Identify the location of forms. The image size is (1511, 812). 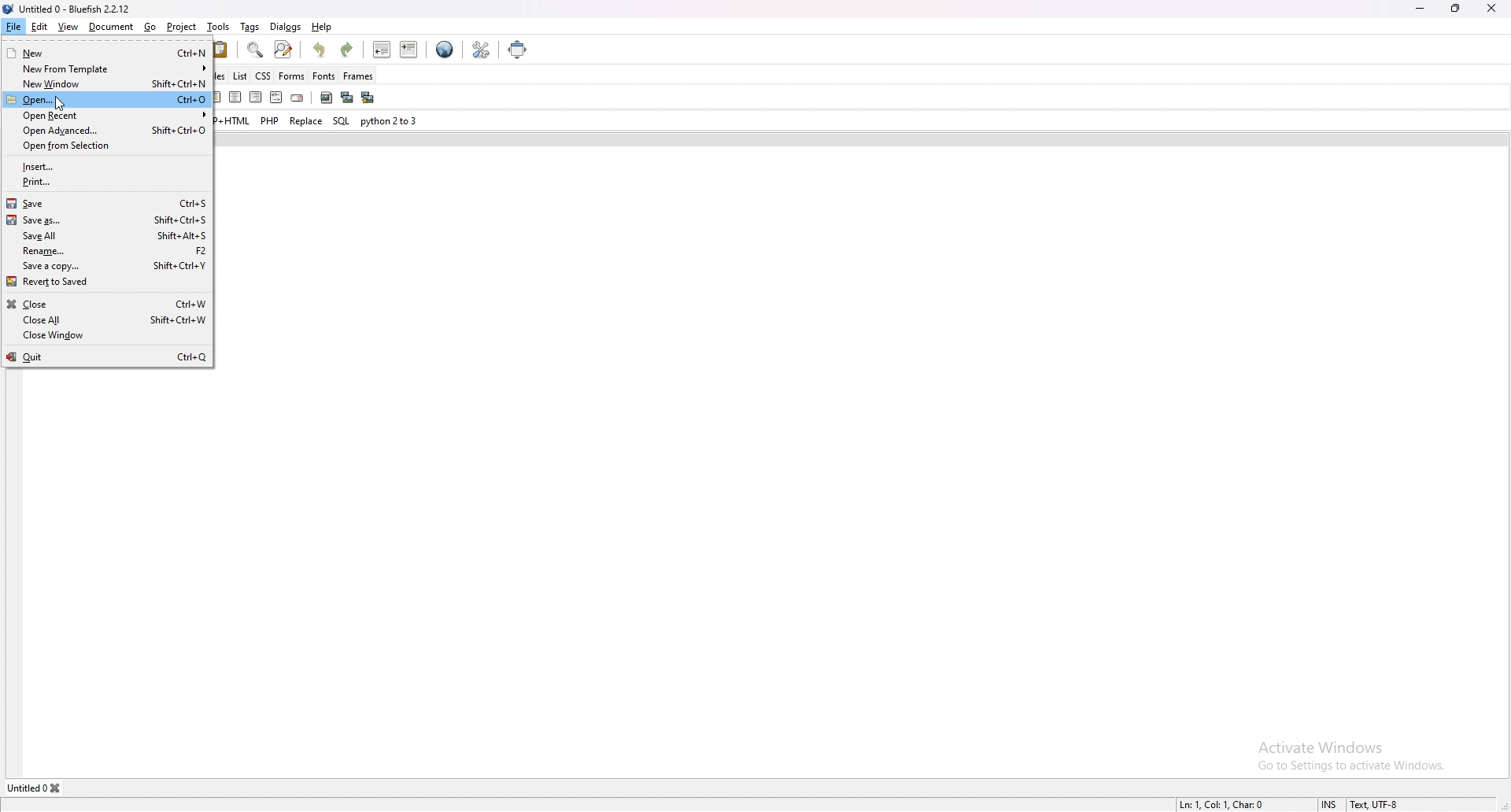
(292, 76).